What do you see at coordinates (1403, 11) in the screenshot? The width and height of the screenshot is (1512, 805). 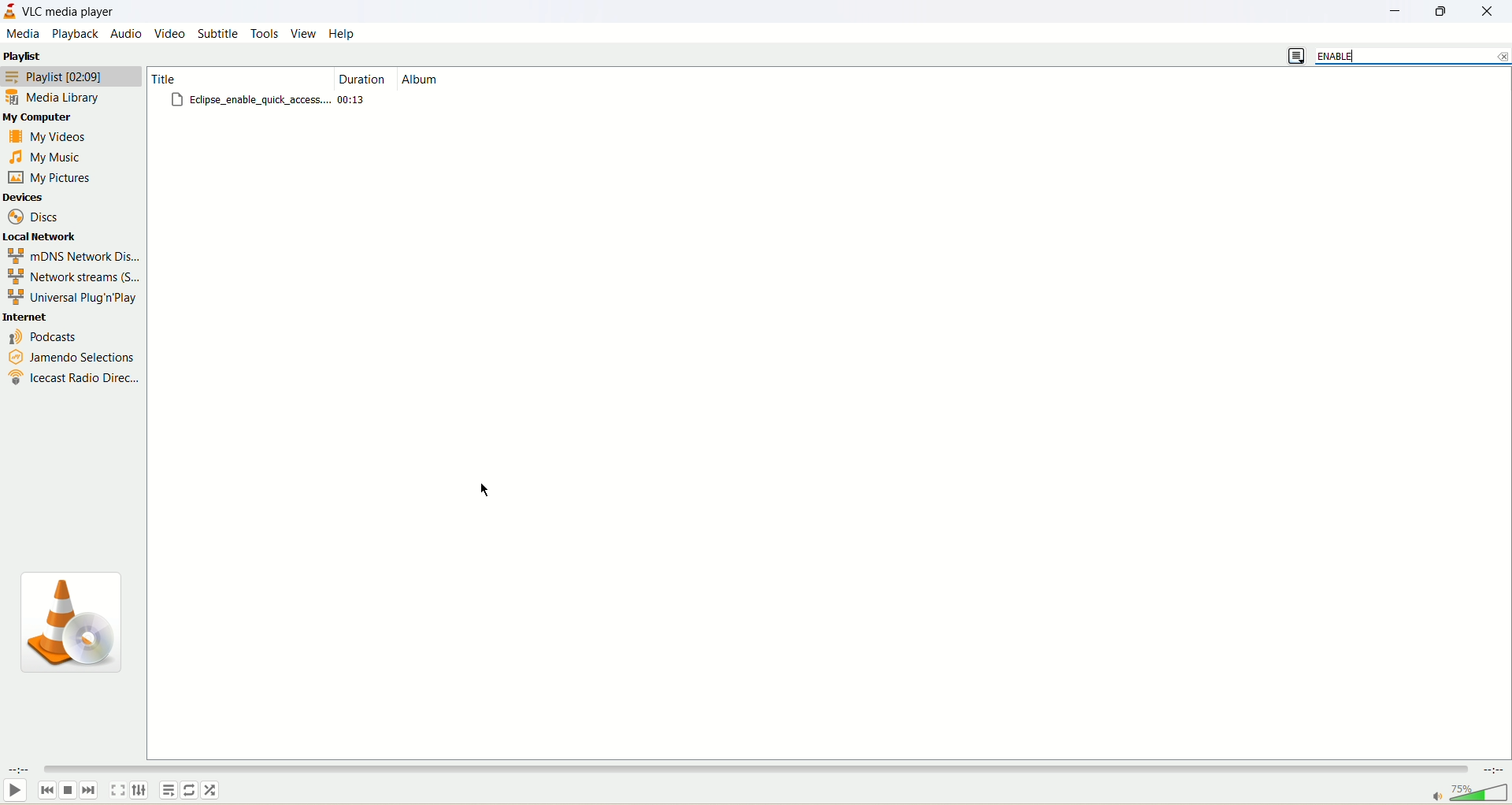 I see `minimize` at bounding box center [1403, 11].